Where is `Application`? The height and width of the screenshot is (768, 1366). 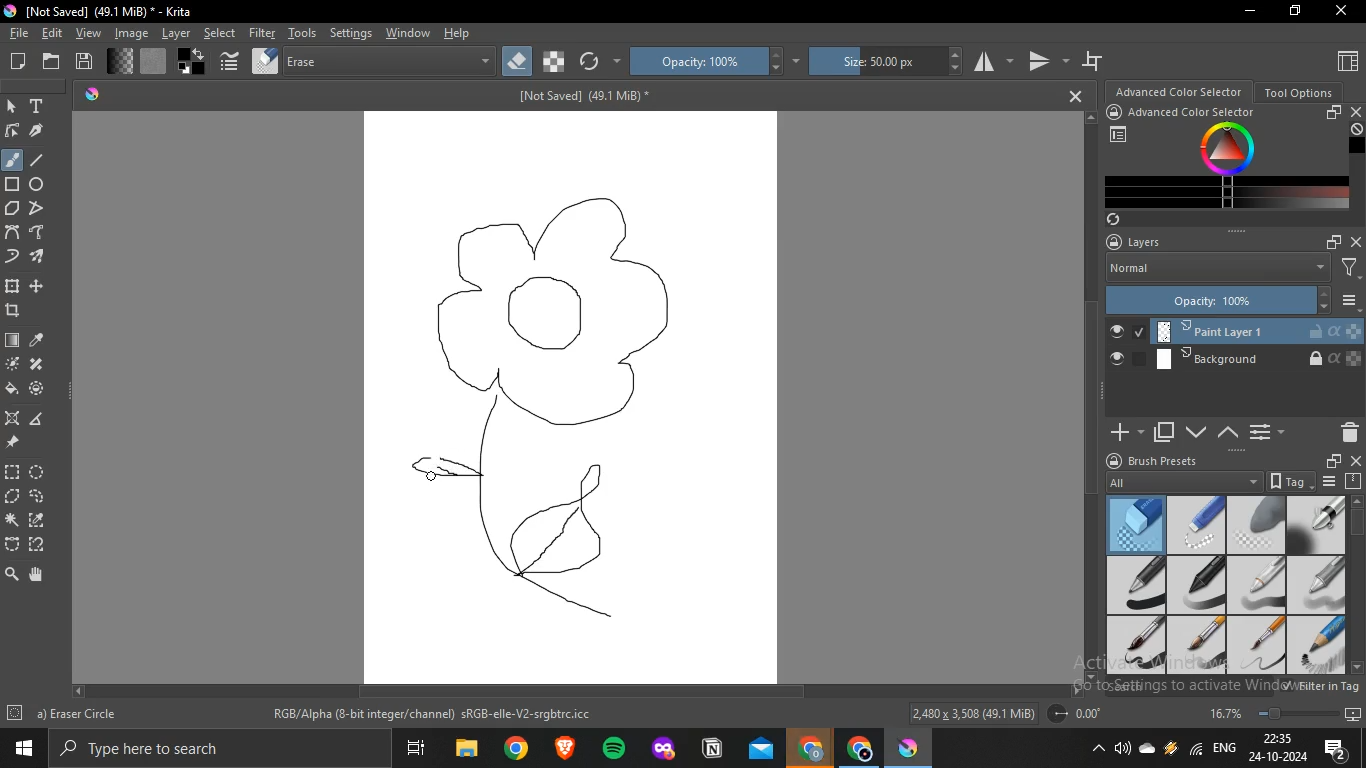
Application is located at coordinates (418, 749).